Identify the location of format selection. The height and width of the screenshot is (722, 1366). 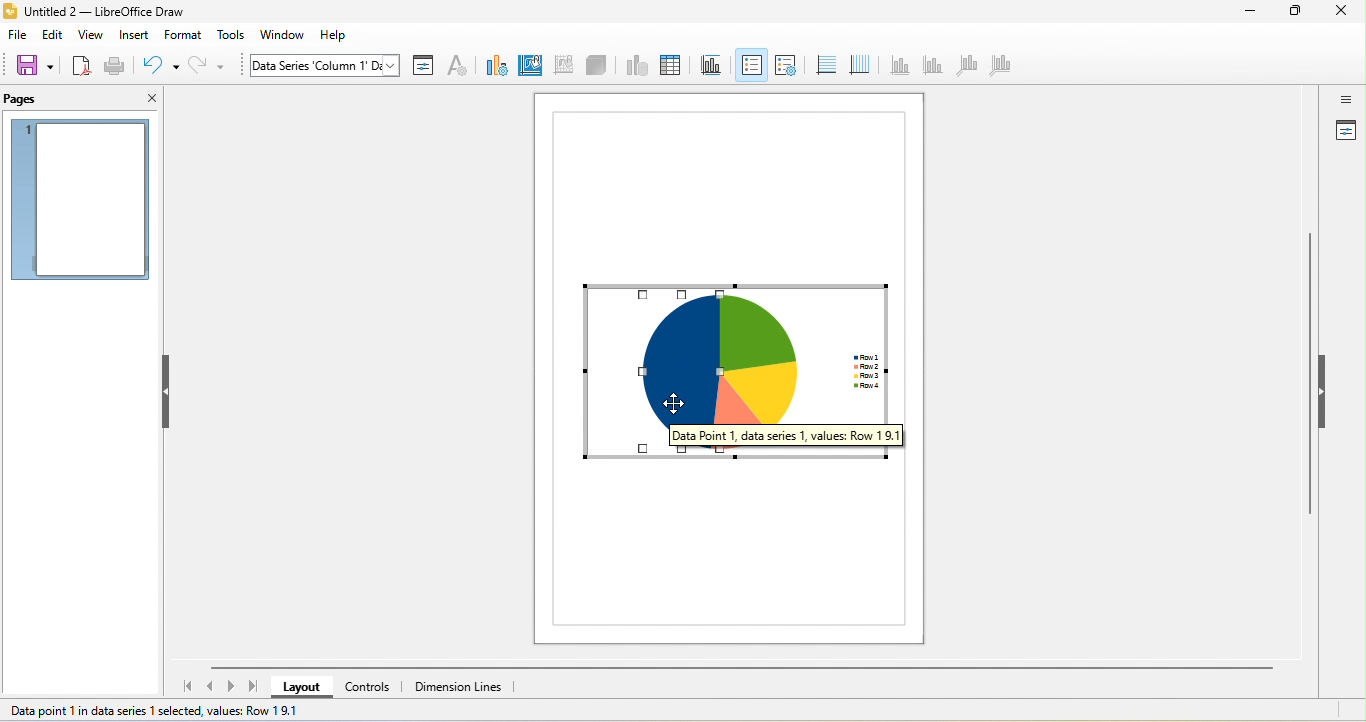
(423, 65).